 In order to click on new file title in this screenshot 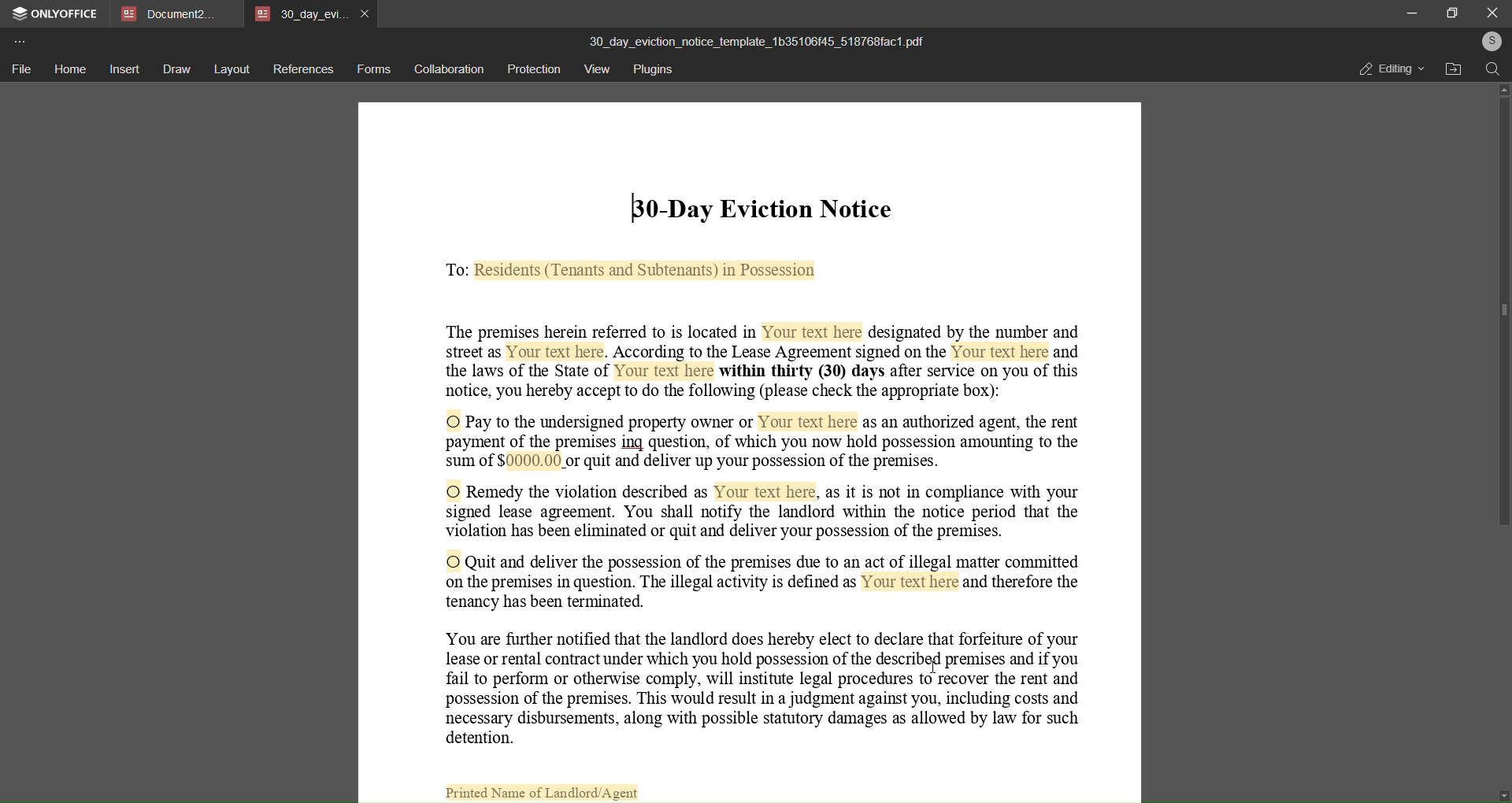, I will do `click(765, 38)`.